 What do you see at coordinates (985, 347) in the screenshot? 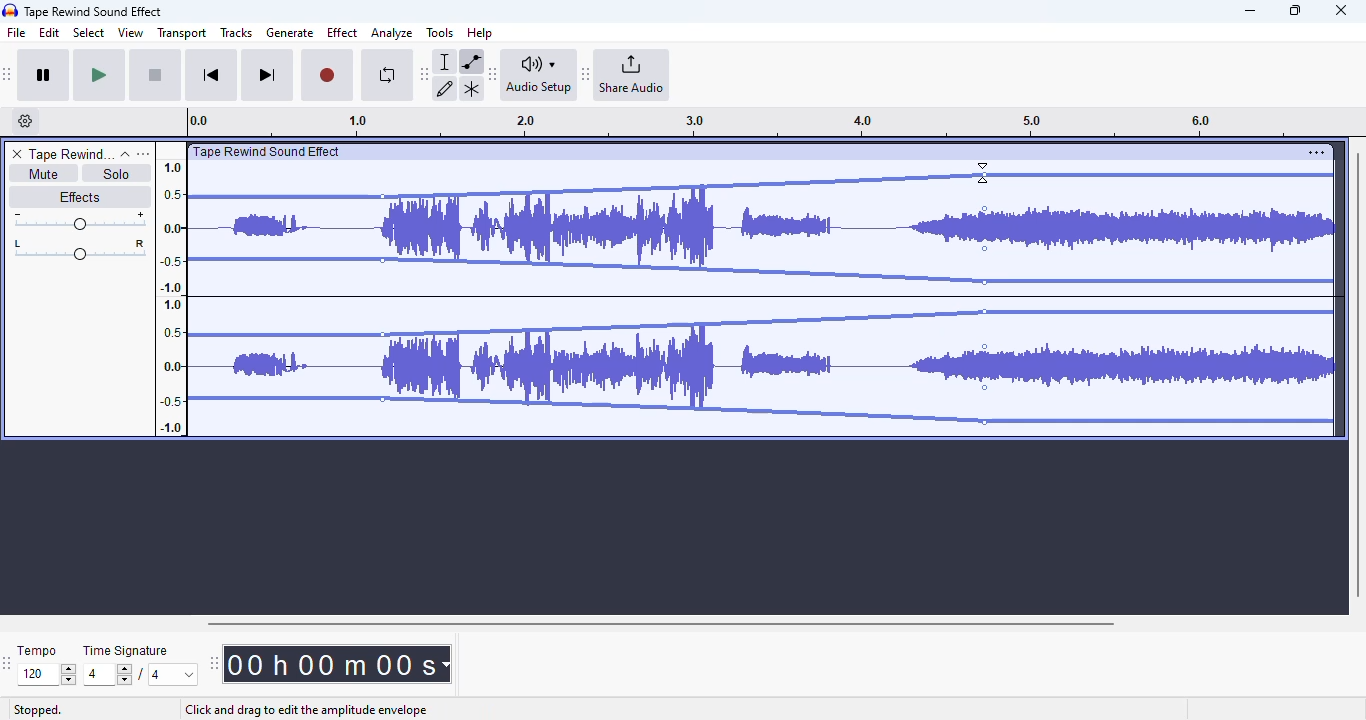
I see `Control point` at bounding box center [985, 347].